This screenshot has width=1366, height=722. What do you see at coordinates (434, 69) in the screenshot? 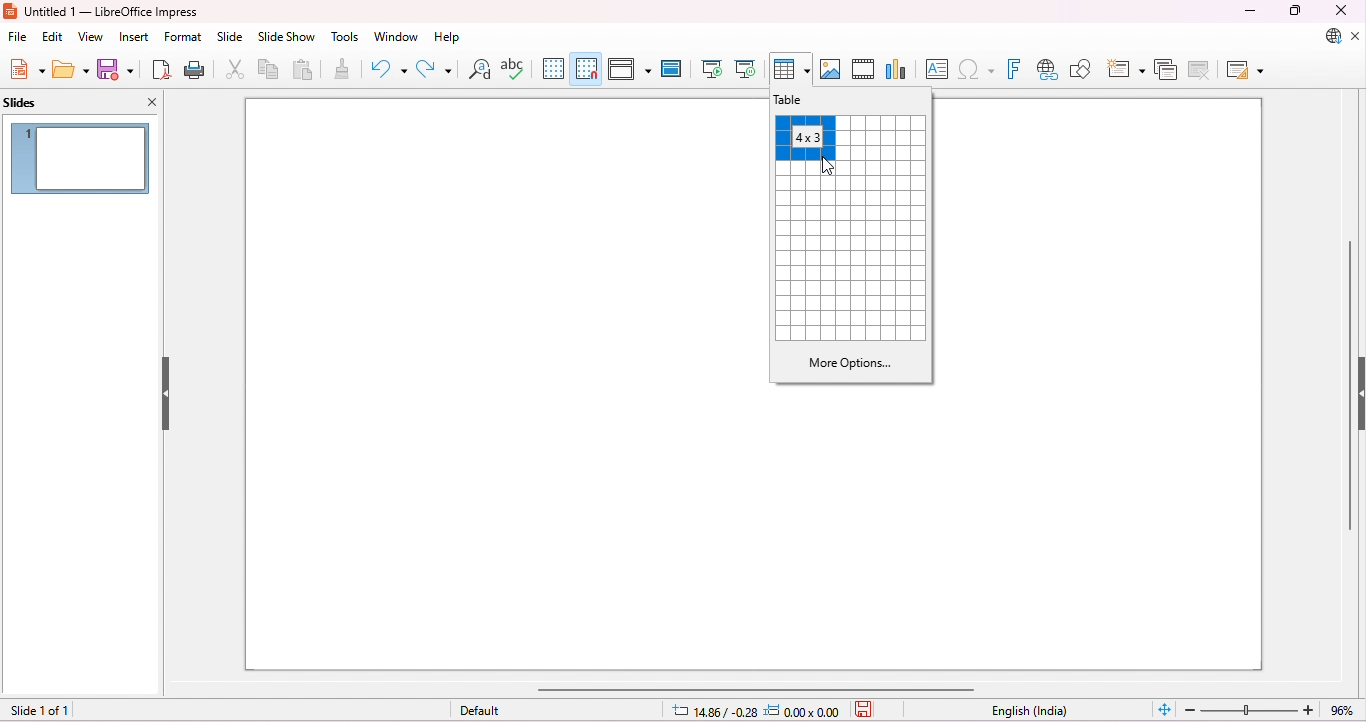
I see `redo` at bounding box center [434, 69].